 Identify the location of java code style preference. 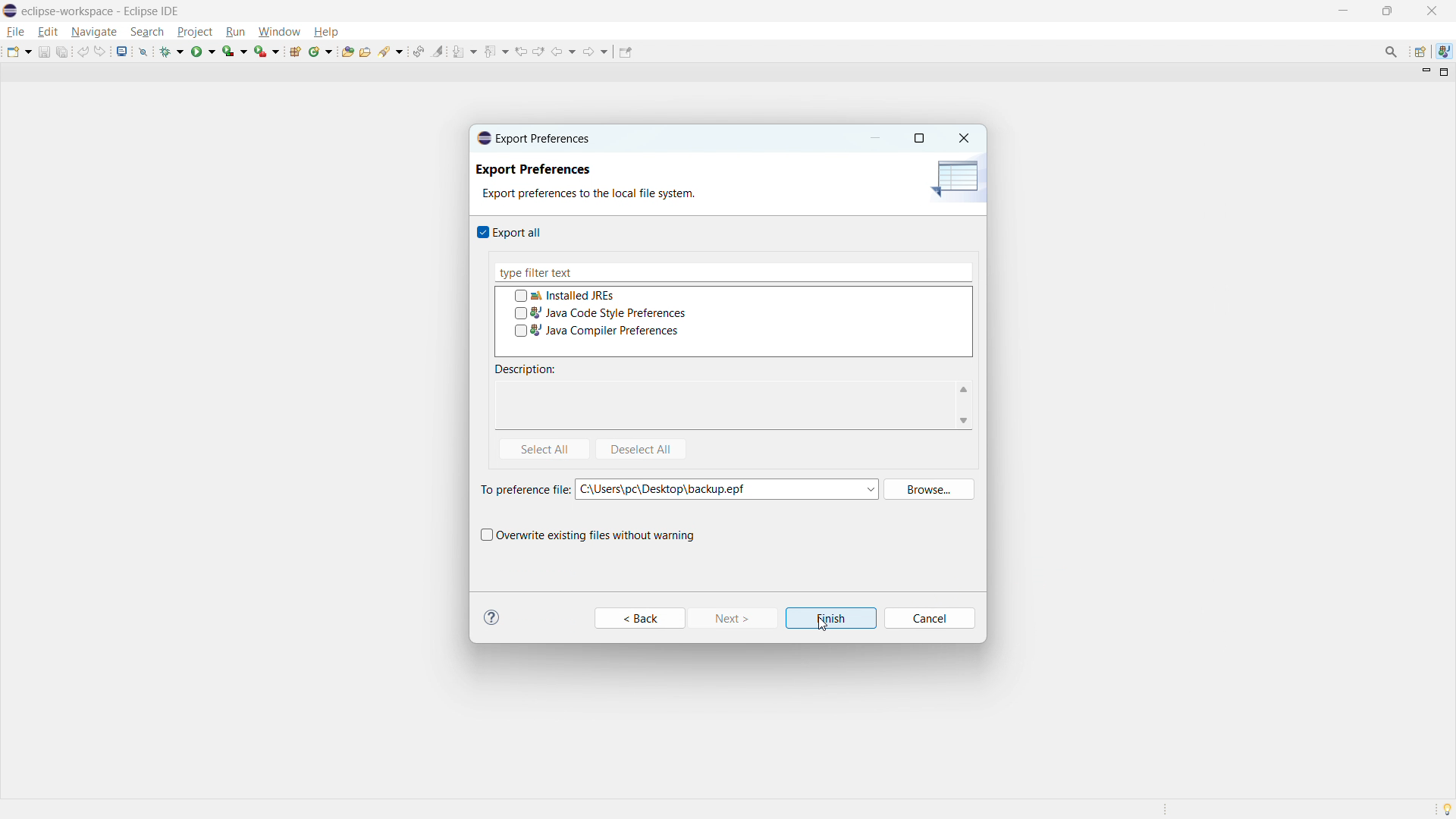
(600, 313).